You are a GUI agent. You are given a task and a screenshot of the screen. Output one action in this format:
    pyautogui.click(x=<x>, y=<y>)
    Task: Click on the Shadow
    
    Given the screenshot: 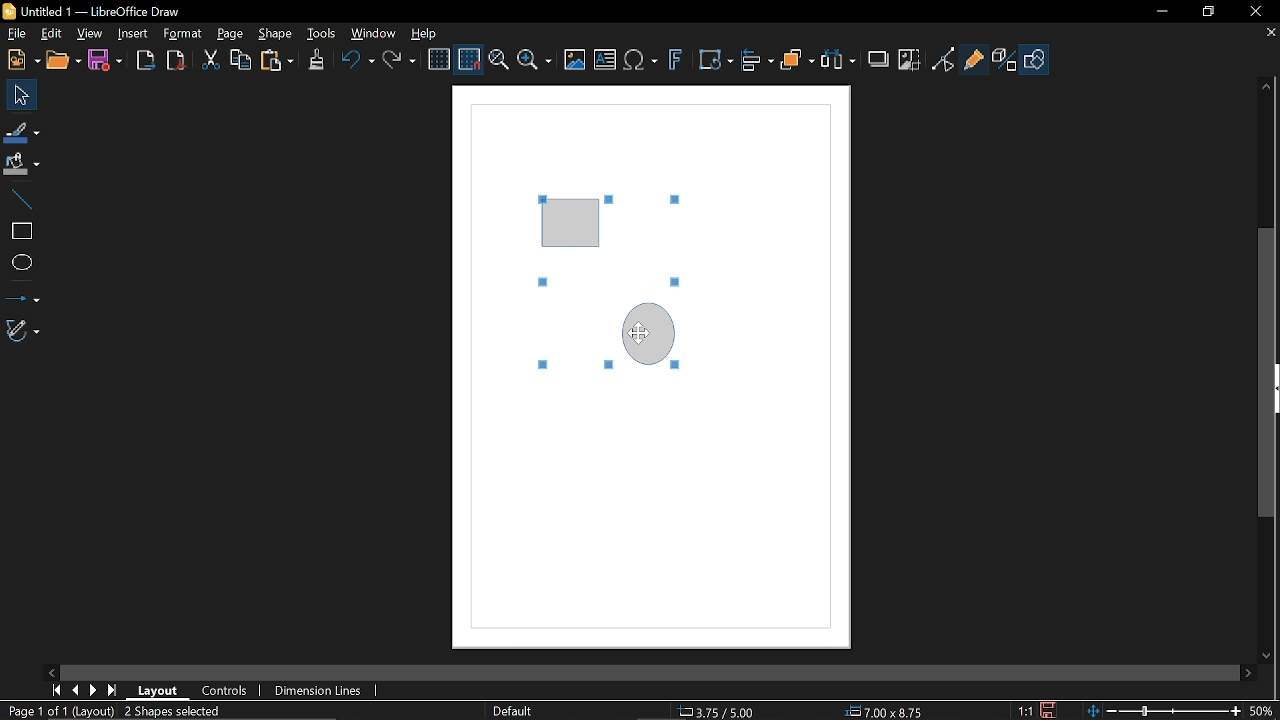 What is the action you would take?
    pyautogui.click(x=878, y=59)
    